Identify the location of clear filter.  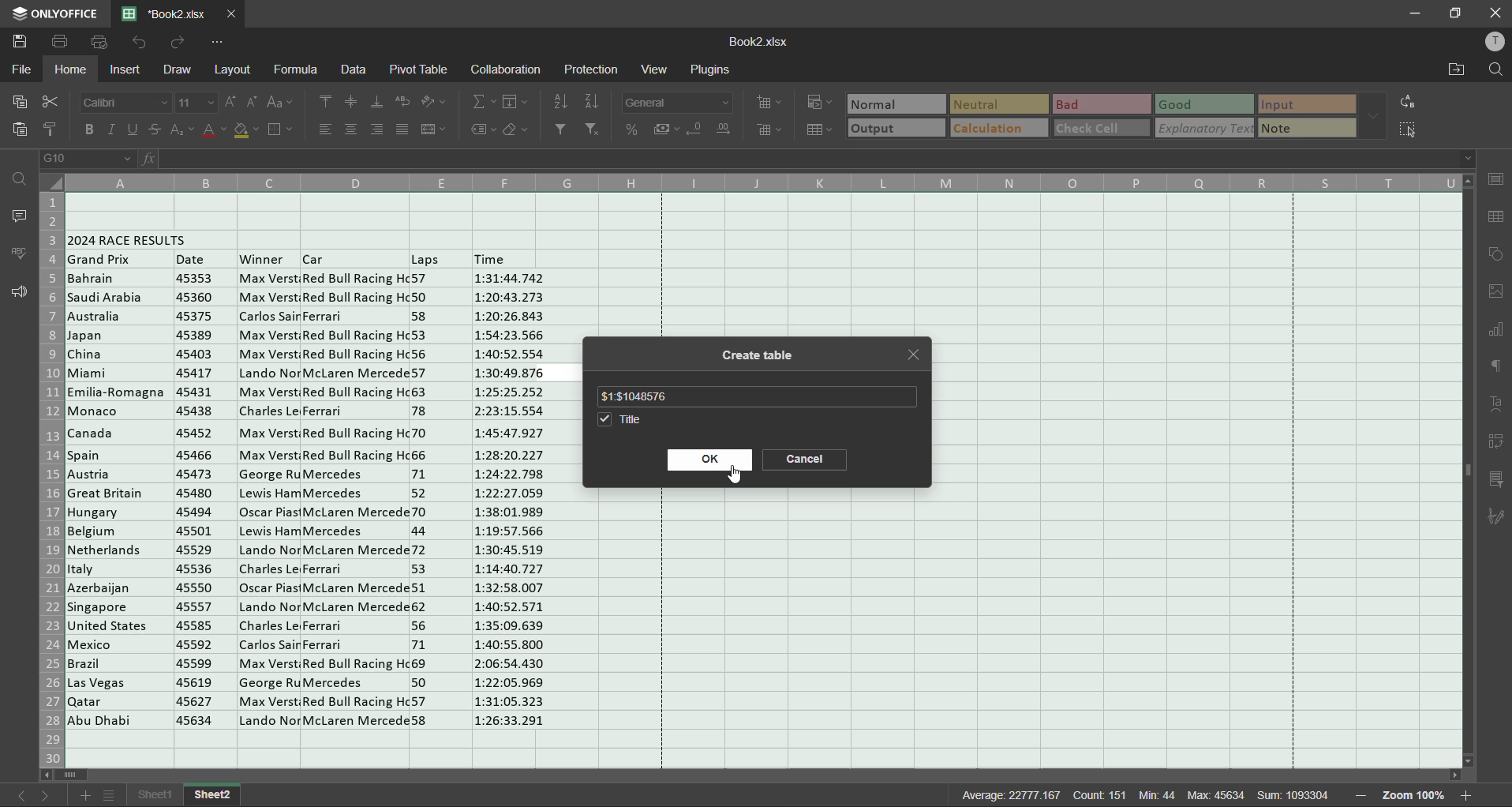
(593, 128).